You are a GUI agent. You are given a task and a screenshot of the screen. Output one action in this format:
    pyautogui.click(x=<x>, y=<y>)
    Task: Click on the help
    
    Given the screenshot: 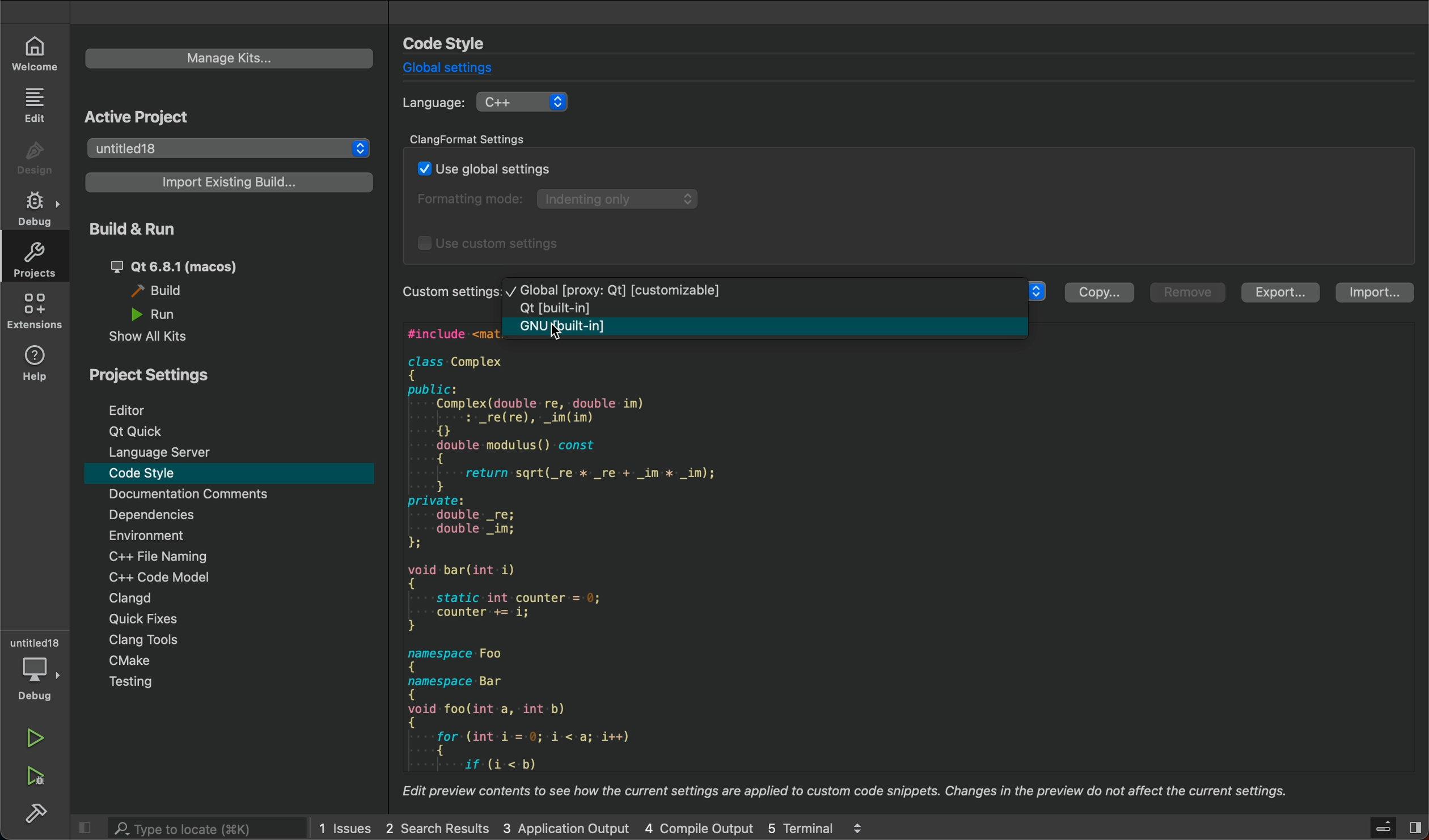 What is the action you would take?
    pyautogui.click(x=34, y=365)
    